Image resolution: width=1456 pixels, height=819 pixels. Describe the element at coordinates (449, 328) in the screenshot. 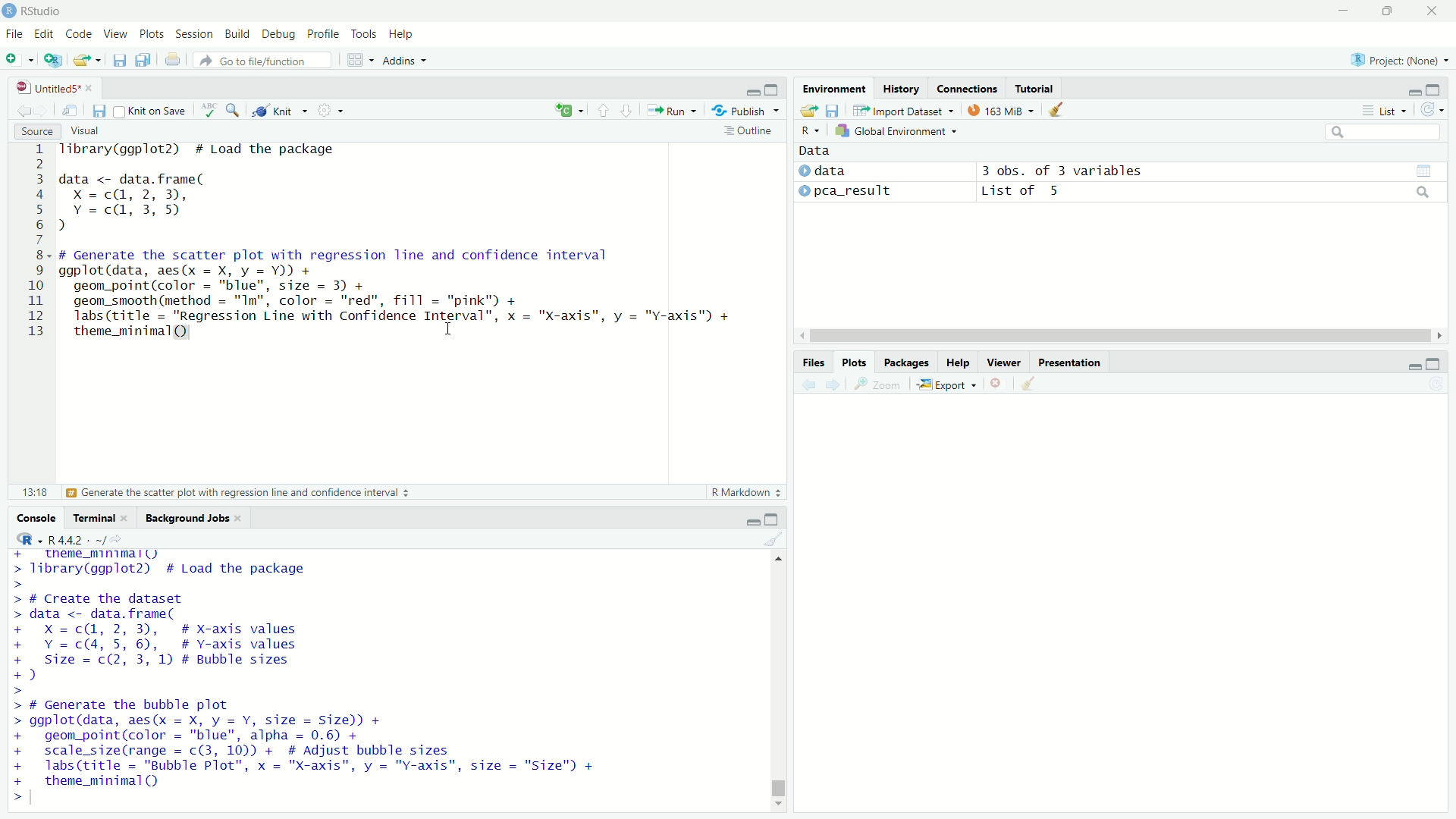

I see `cursor` at that location.